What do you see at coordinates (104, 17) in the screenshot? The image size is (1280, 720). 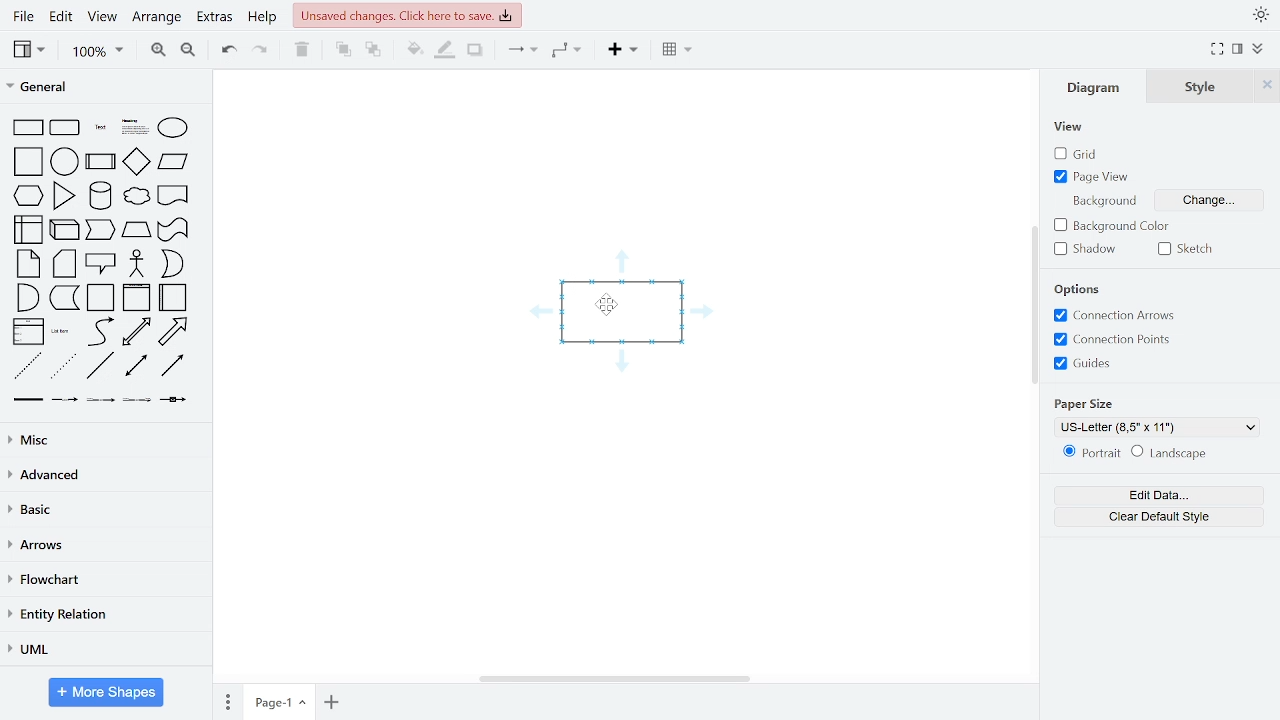 I see `view` at bounding box center [104, 17].